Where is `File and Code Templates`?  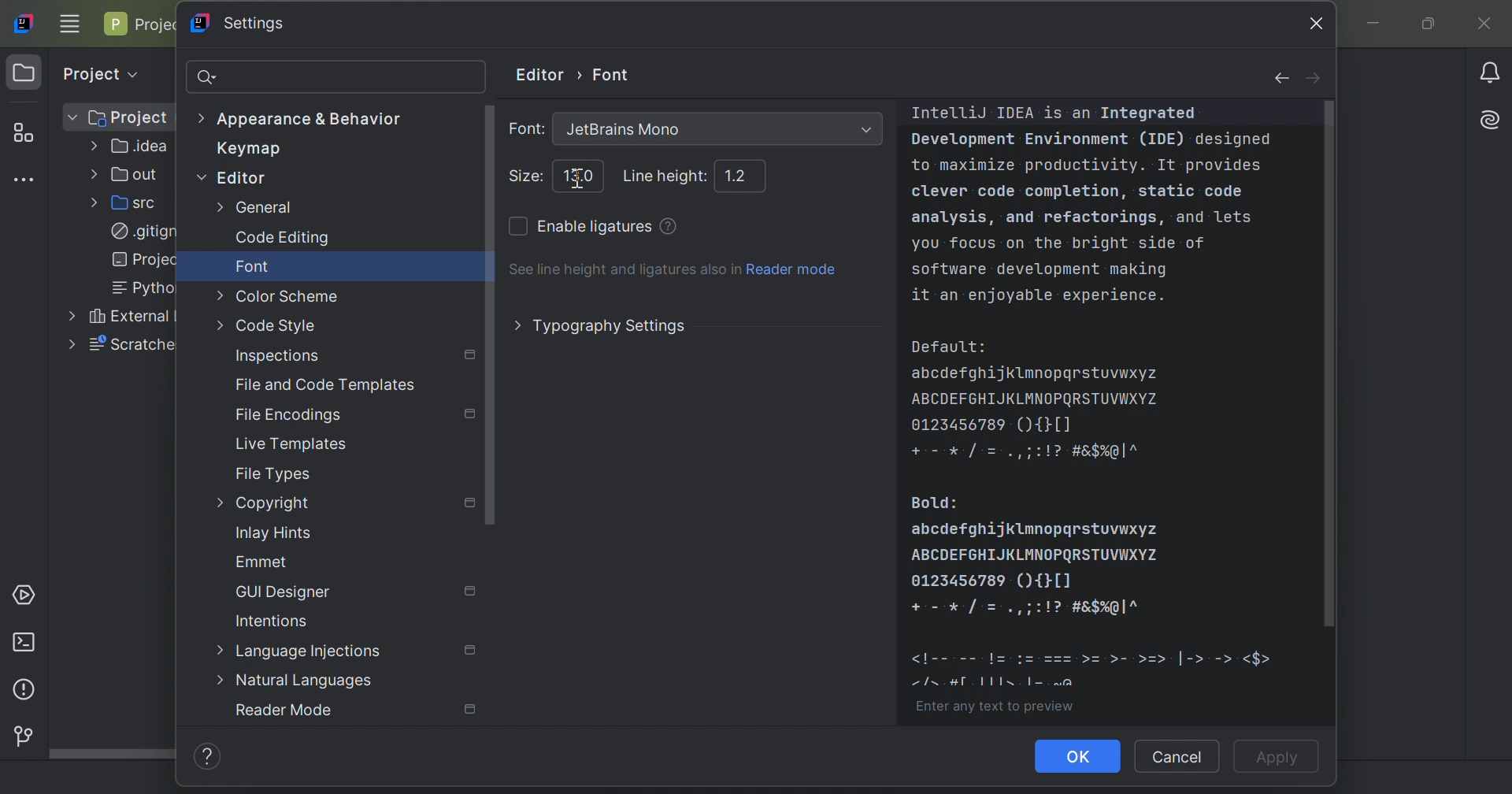
File and Code Templates is located at coordinates (329, 385).